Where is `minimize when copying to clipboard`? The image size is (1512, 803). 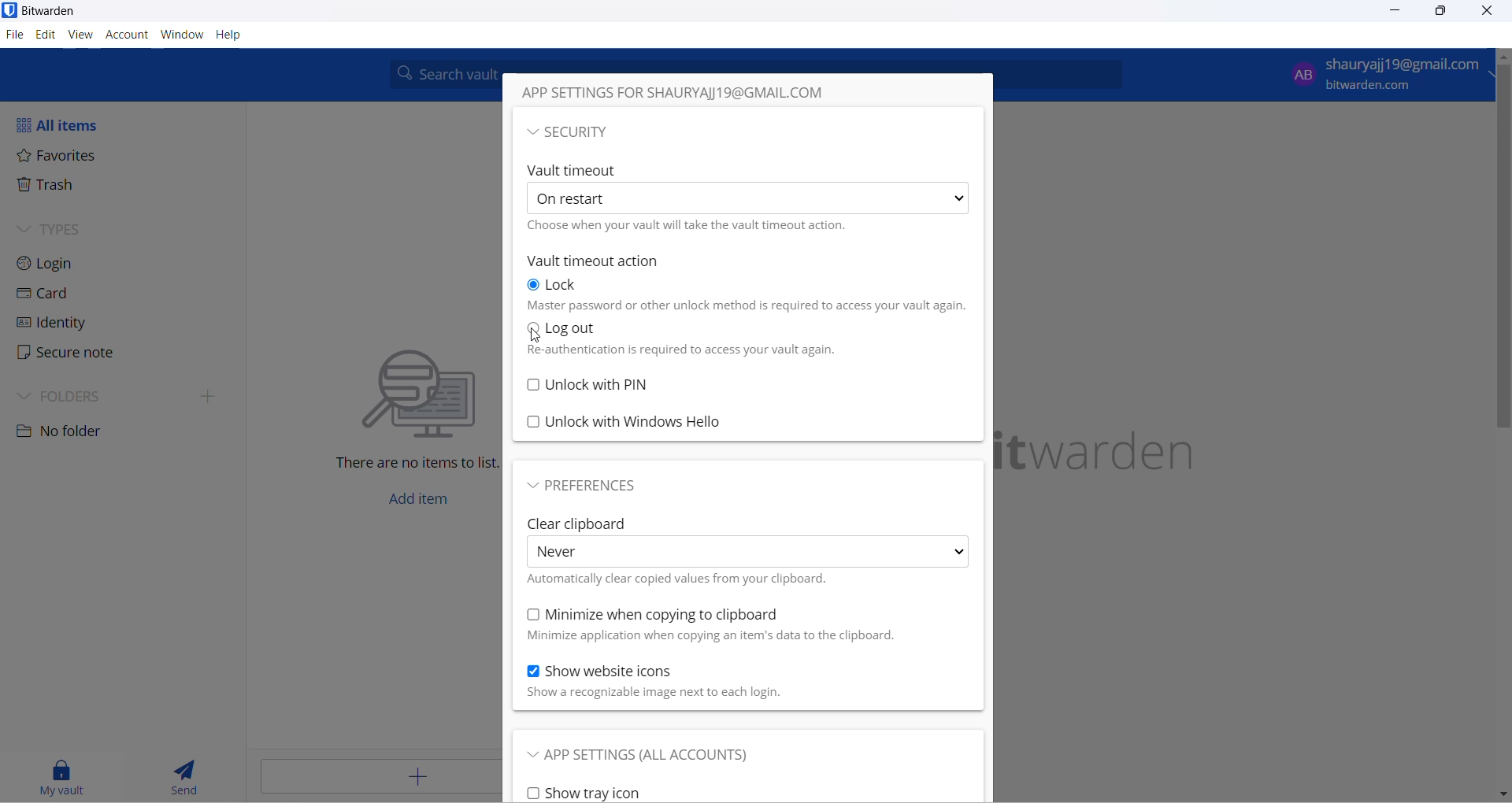
minimize when copying to clipboard is located at coordinates (655, 612).